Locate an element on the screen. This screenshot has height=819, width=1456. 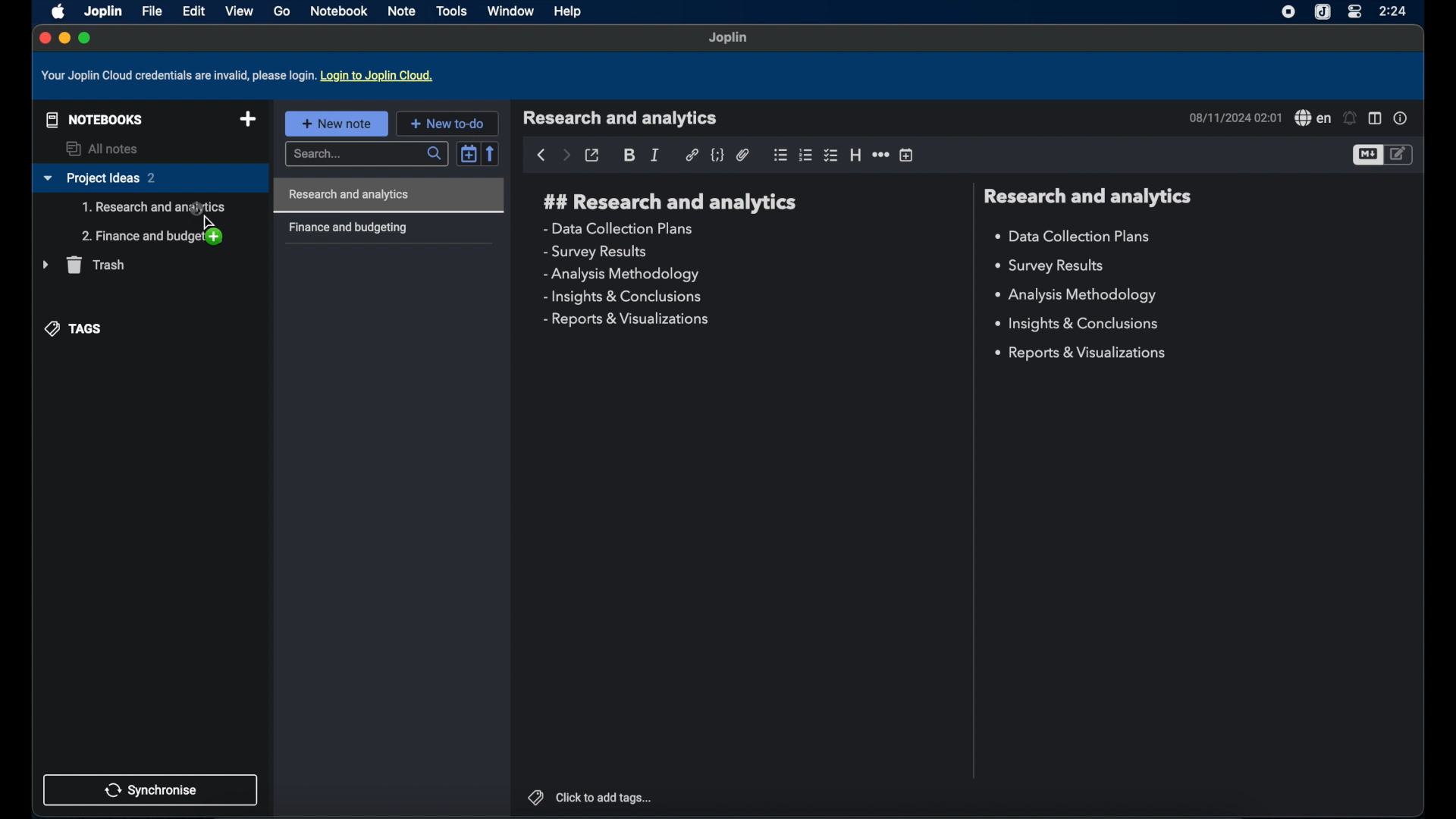
apple icon is located at coordinates (55, 11).